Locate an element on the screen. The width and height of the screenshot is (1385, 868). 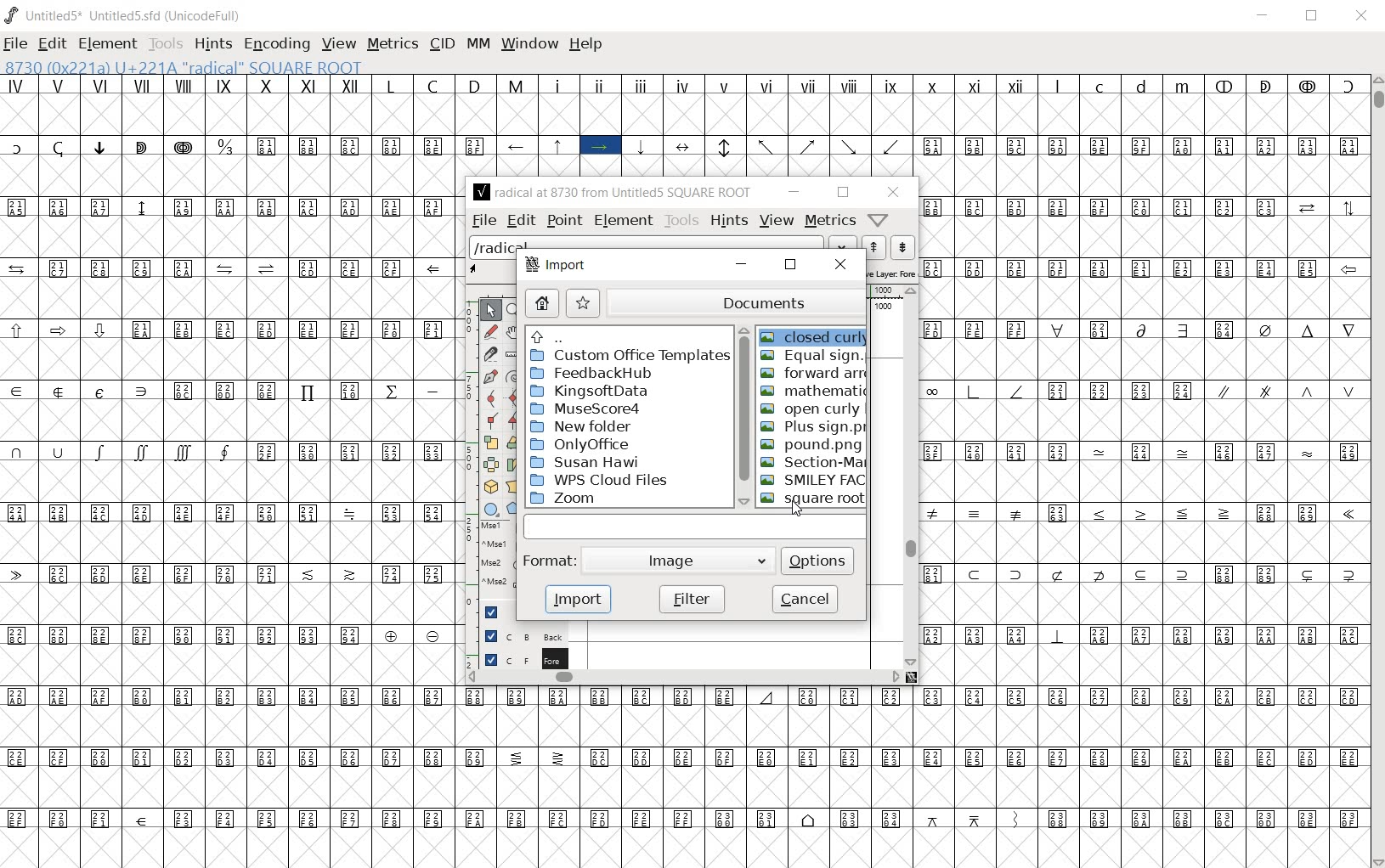
New folder is located at coordinates (581, 427).